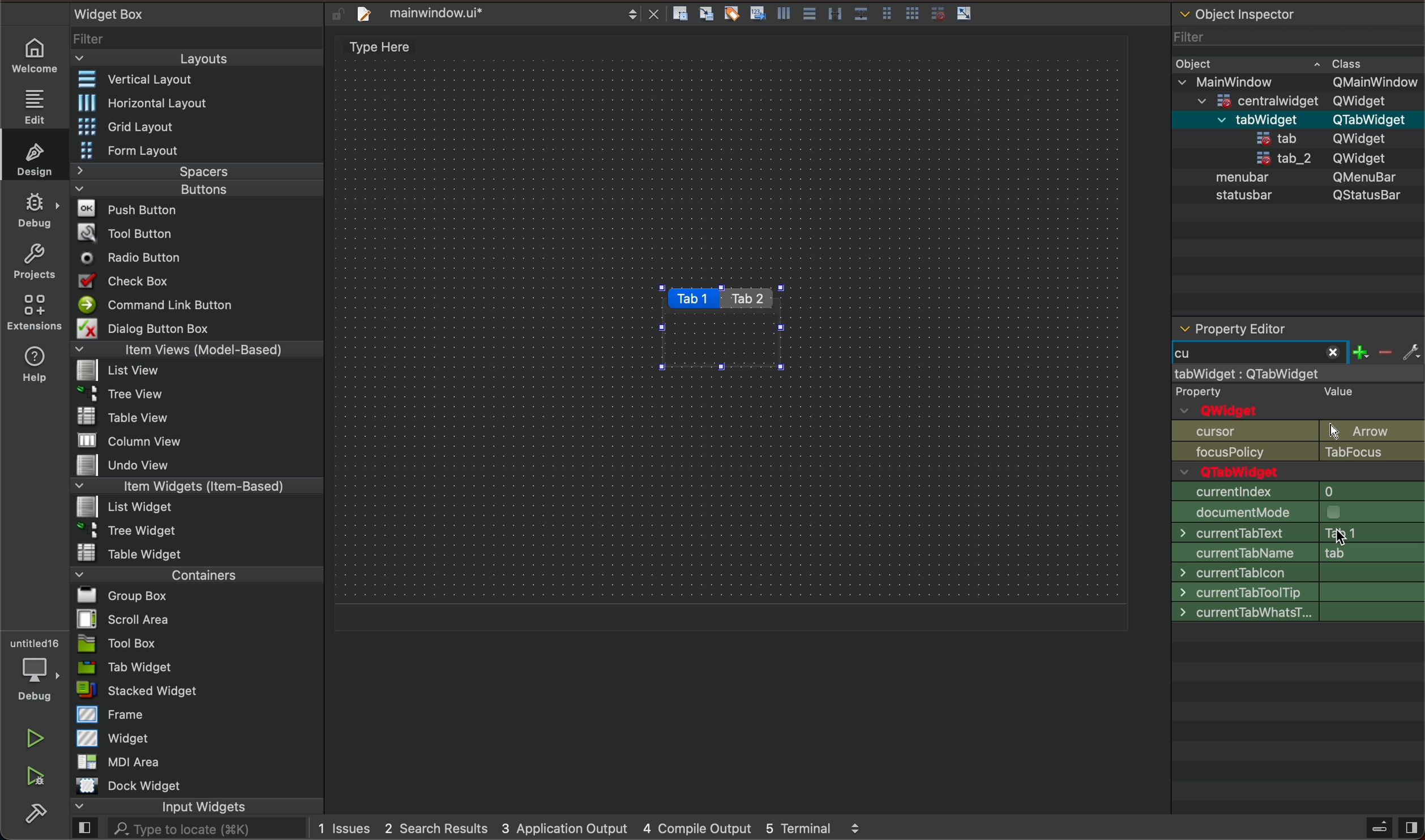  What do you see at coordinates (125, 258) in the screenshot?
I see ` Radio Button` at bounding box center [125, 258].